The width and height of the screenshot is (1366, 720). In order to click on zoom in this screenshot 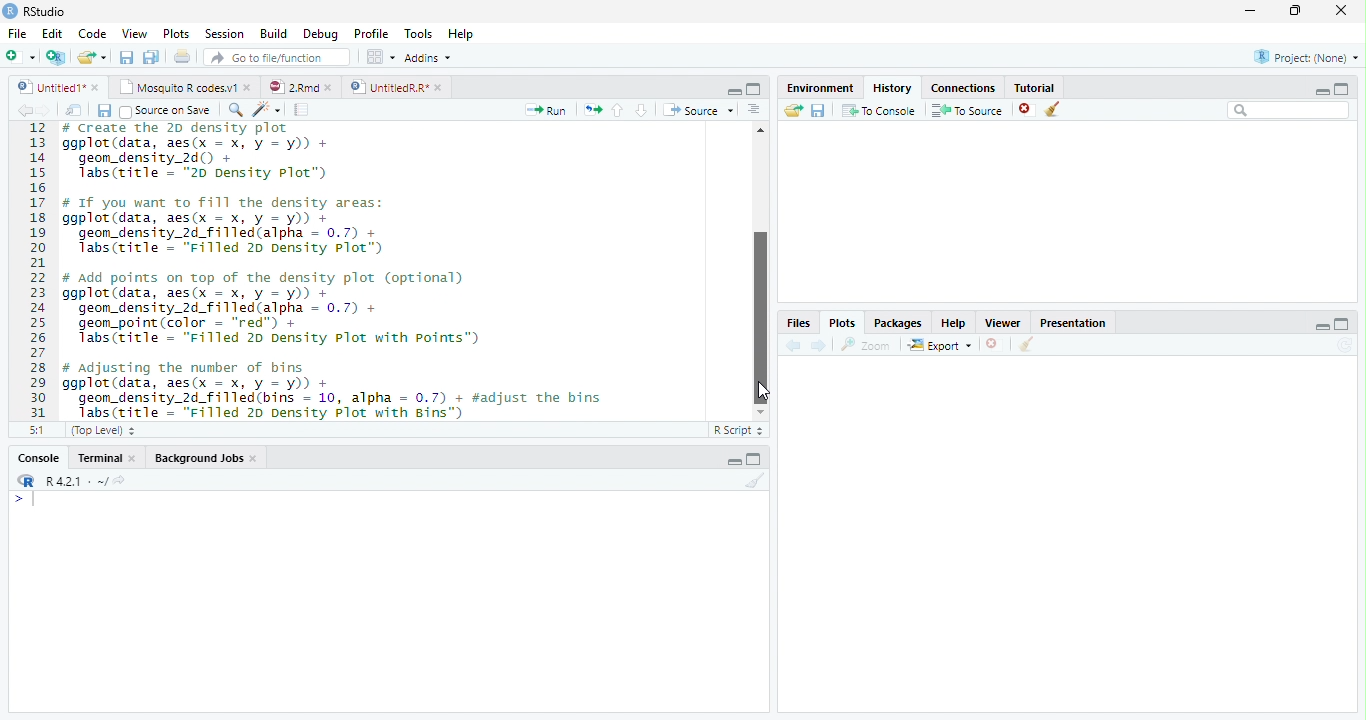, I will do `click(869, 346)`.